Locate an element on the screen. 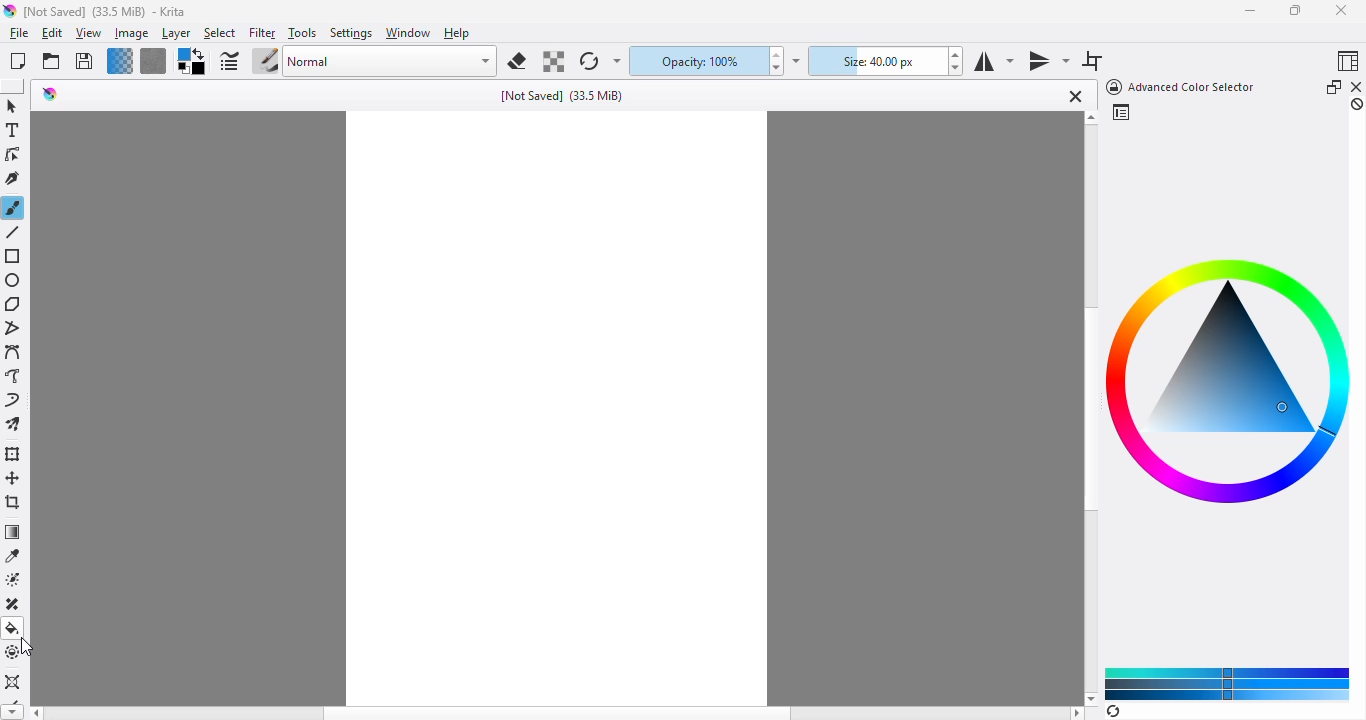 Image resolution: width=1366 pixels, height=720 pixels. enclose and fill tool is located at coordinates (14, 653).